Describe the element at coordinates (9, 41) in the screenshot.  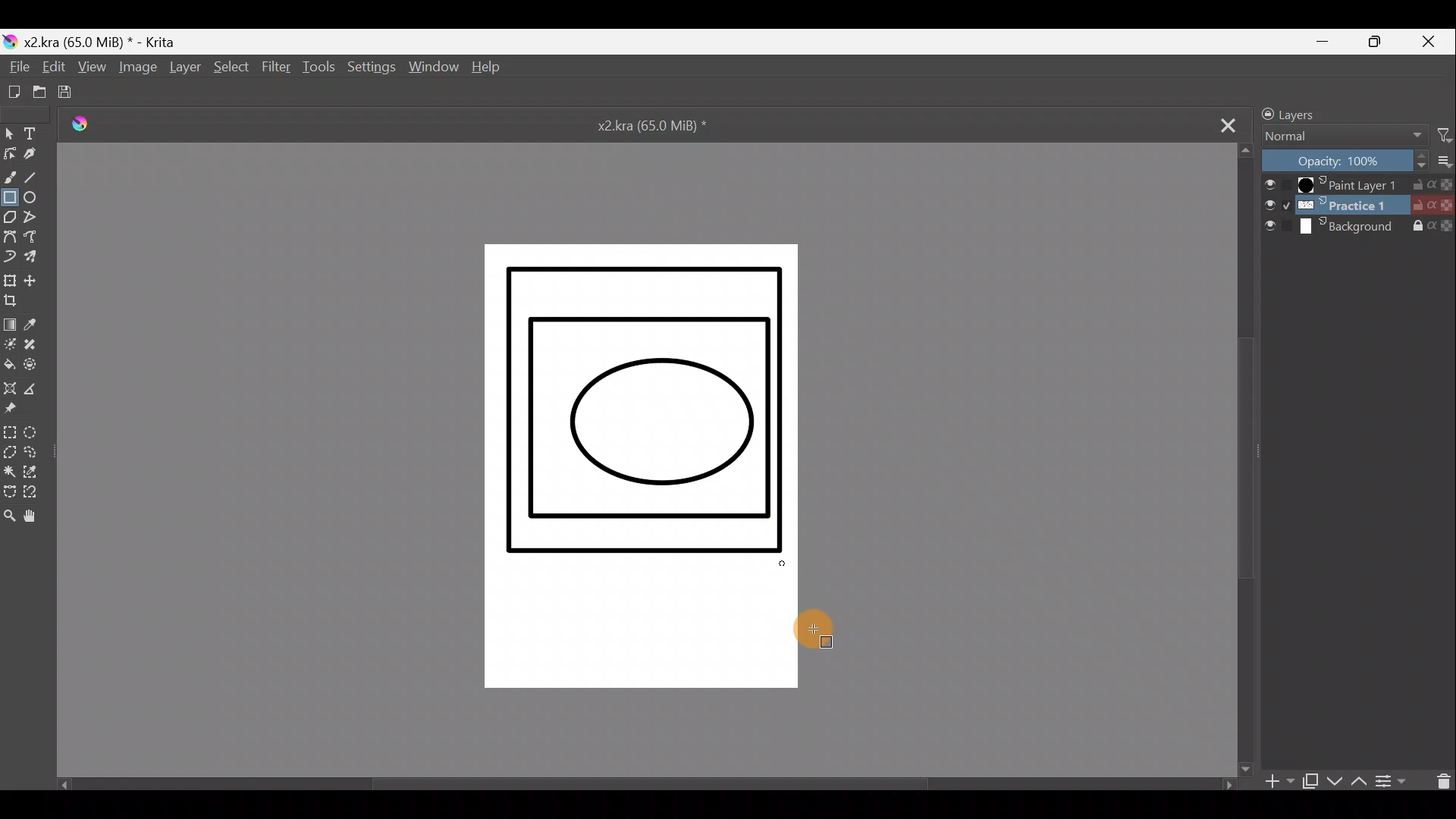
I see `Krita logo` at that location.